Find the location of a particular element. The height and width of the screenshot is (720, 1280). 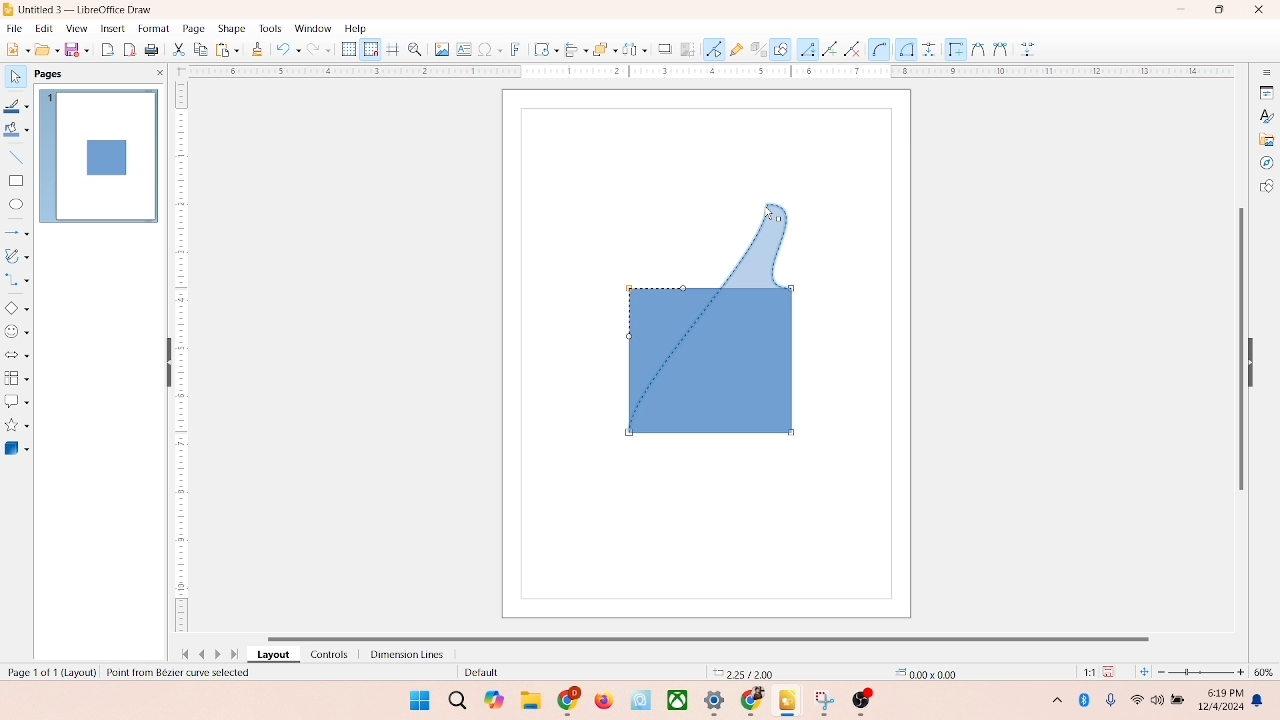

last page is located at coordinates (236, 655).